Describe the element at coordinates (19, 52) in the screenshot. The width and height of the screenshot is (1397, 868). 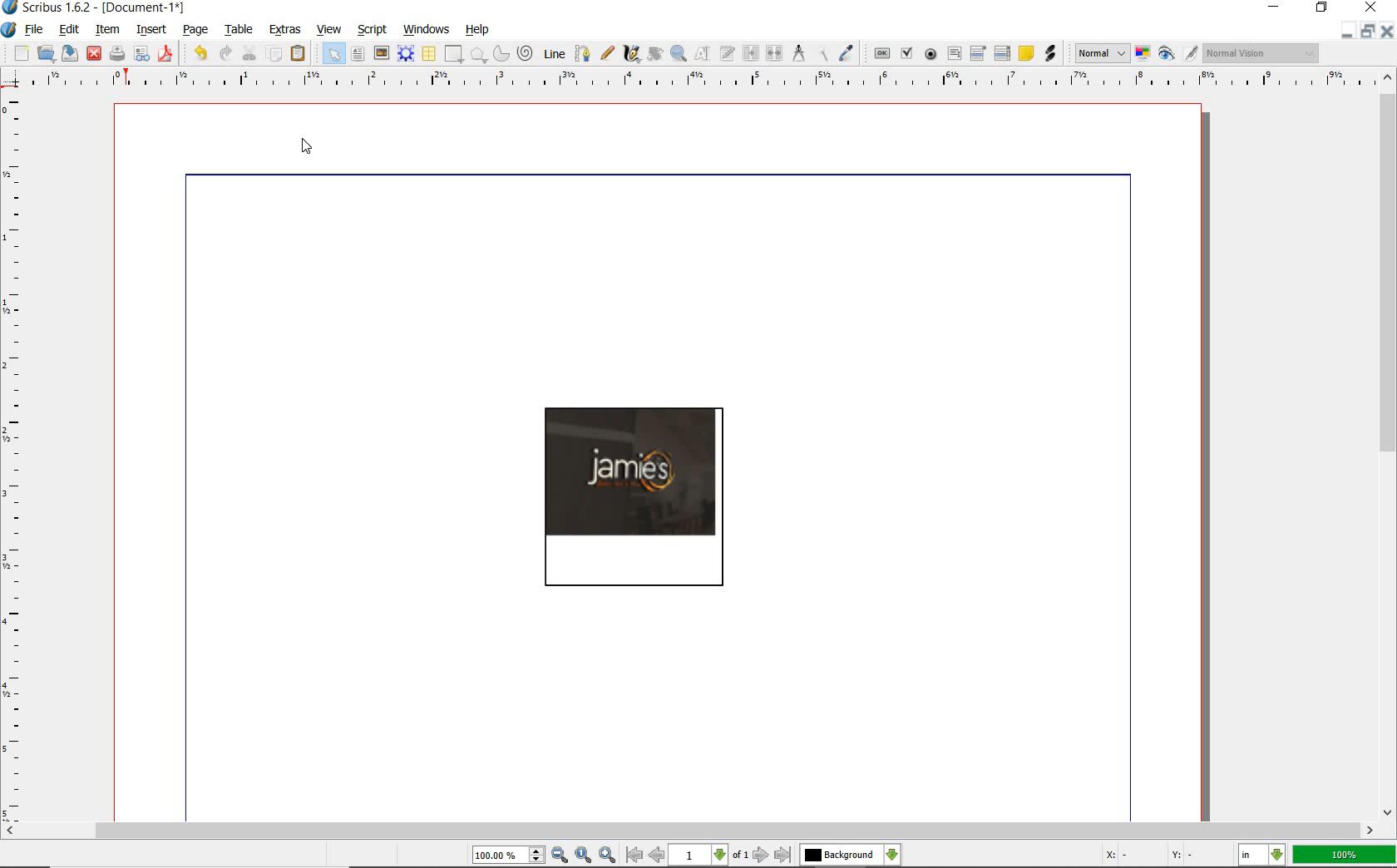
I see `new` at that location.